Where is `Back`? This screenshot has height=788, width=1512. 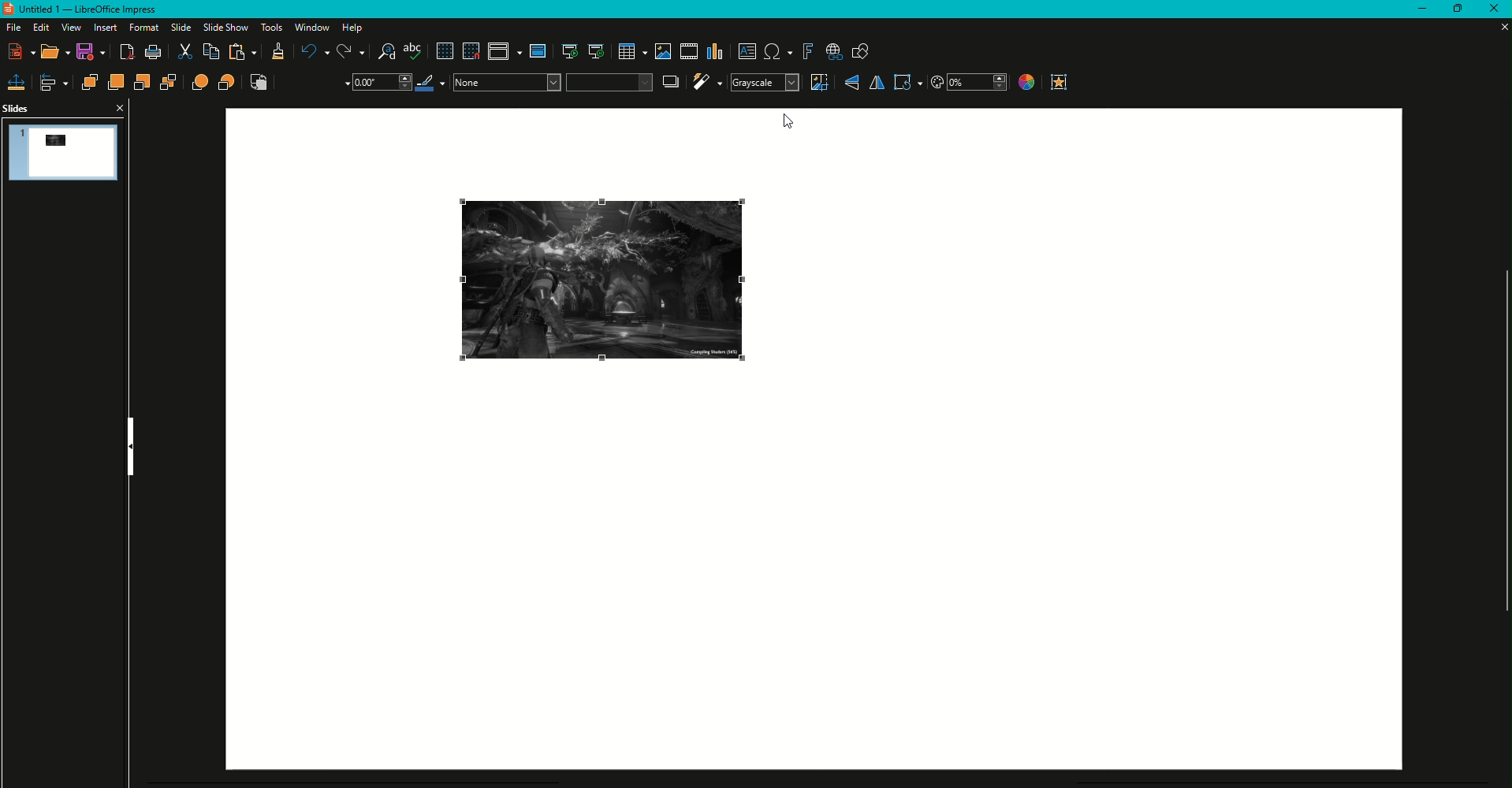 Back is located at coordinates (169, 84).